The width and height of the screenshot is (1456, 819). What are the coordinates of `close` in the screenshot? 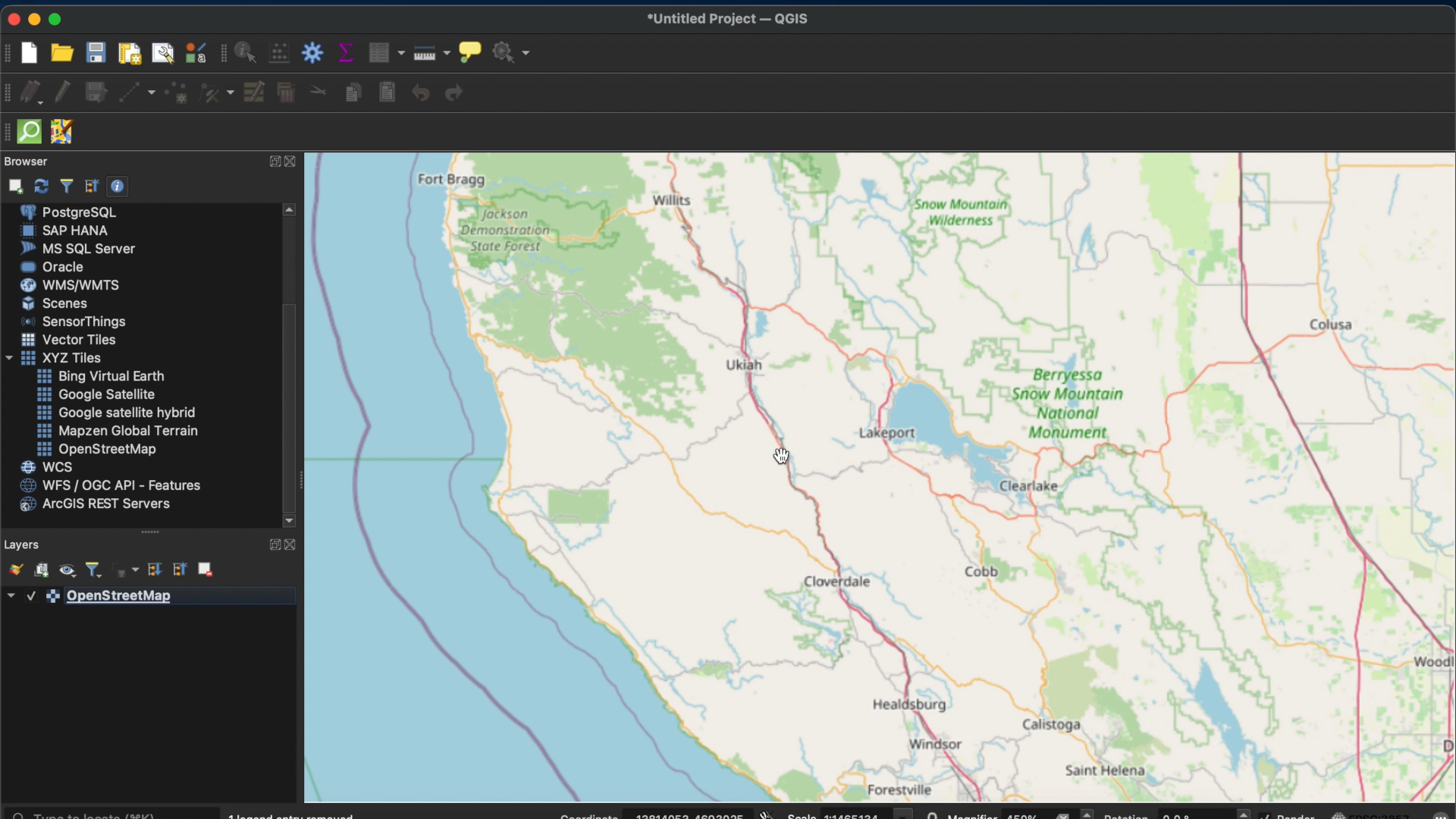 It's located at (11, 17).